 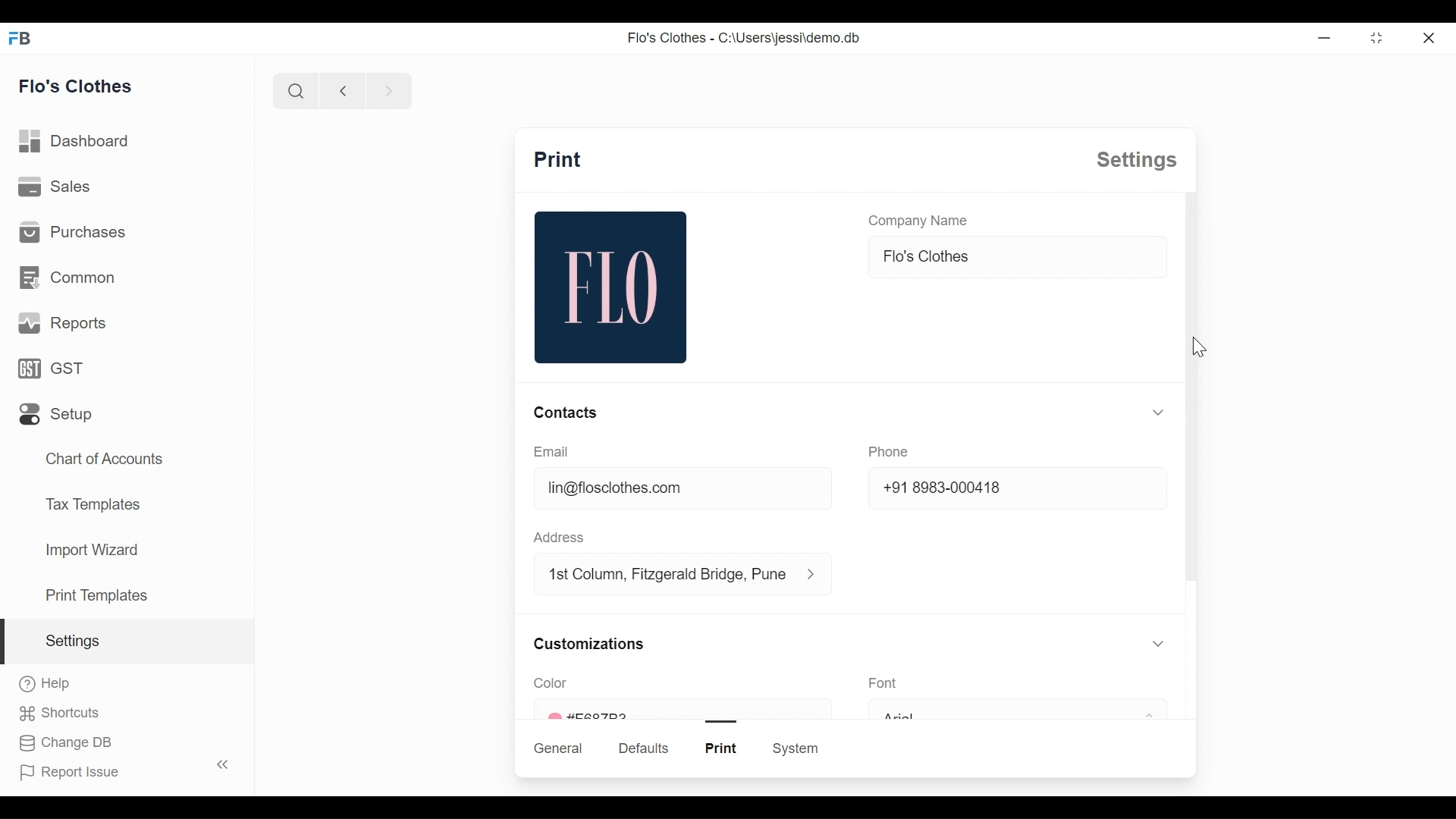 I want to click on general, so click(x=559, y=748).